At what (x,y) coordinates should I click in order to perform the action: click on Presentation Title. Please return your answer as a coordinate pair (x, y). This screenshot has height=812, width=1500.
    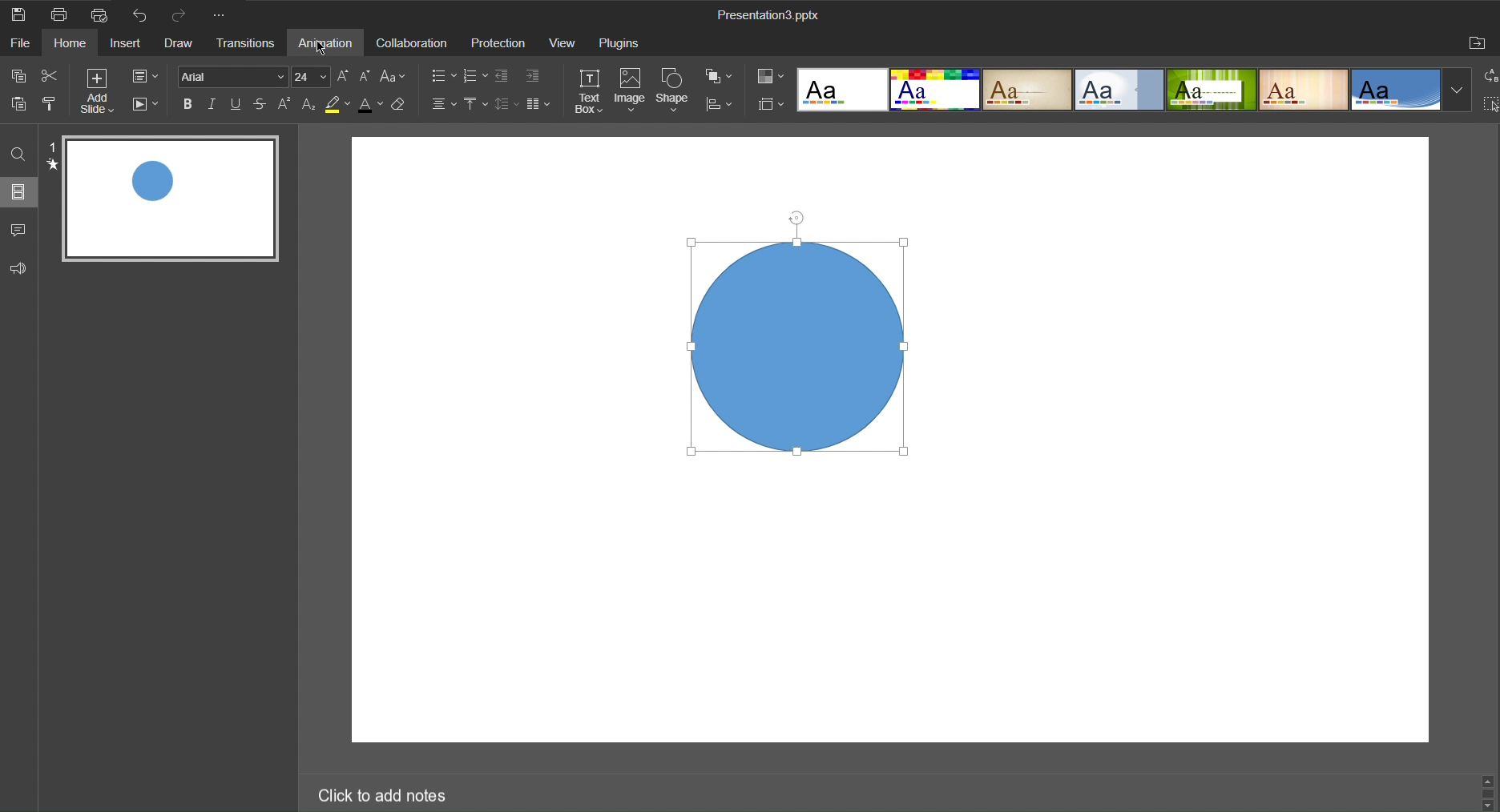
    Looking at the image, I should click on (776, 17).